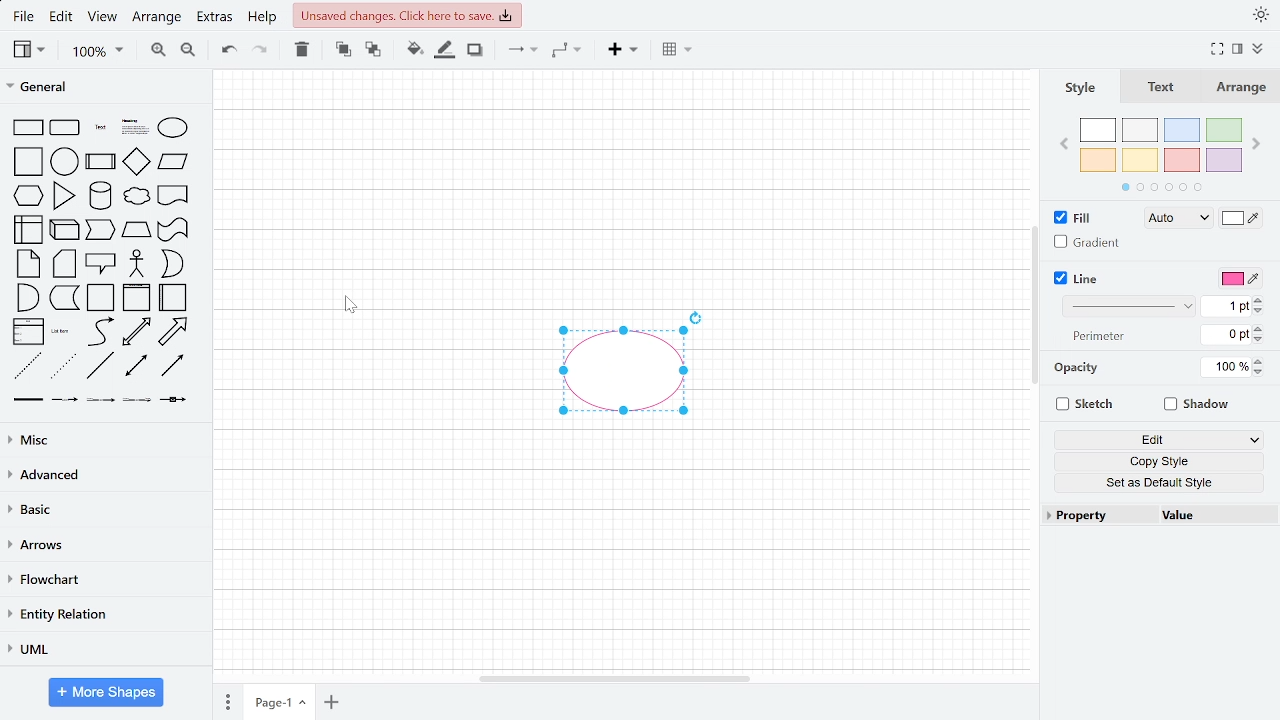 This screenshot has width=1280, height=720. Describe the element at coordinates (374, 50) in the screenshot. I see `to back` at that location.